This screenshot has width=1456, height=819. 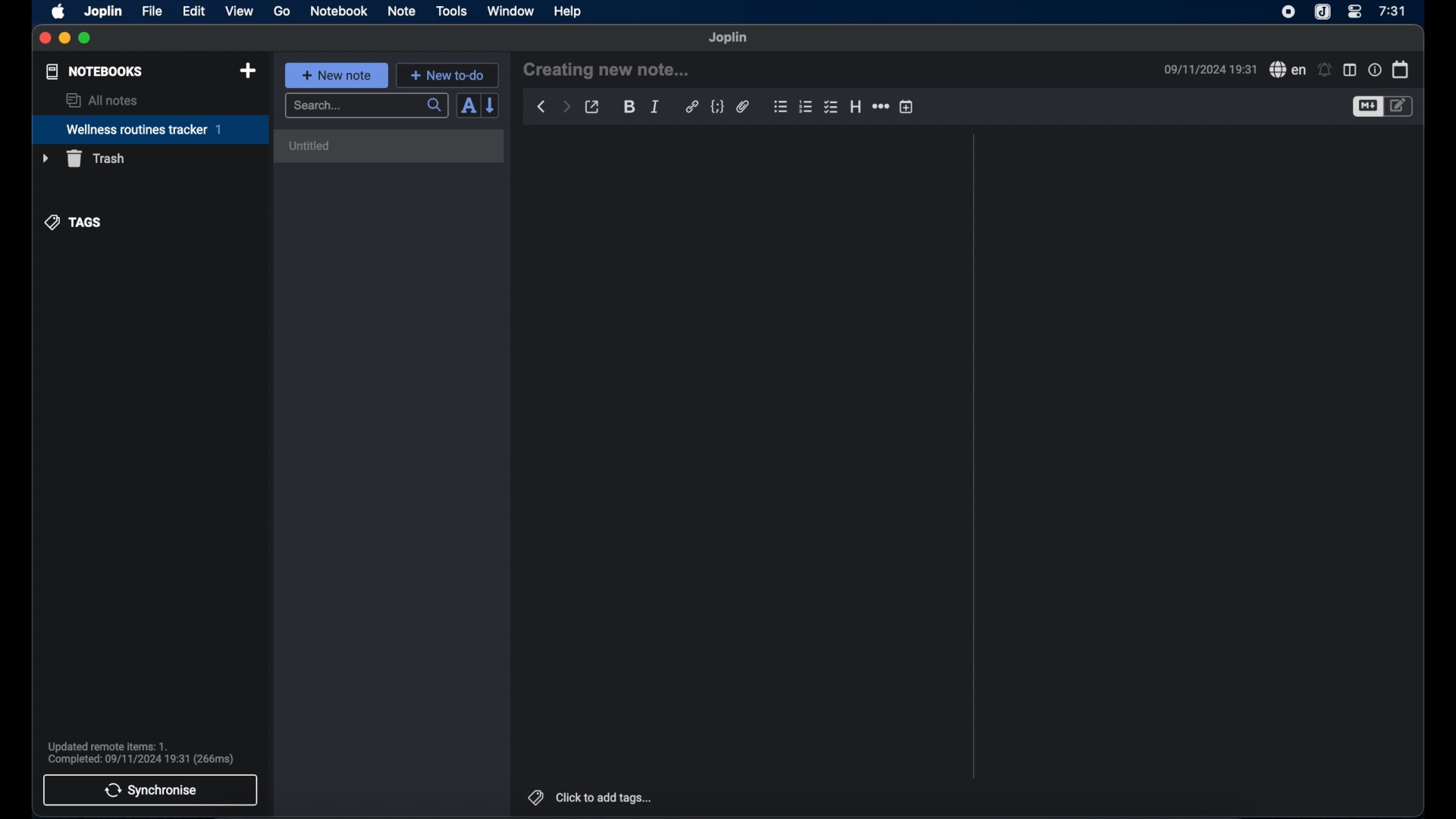 I want to click on back, so click(x=541, y=107).